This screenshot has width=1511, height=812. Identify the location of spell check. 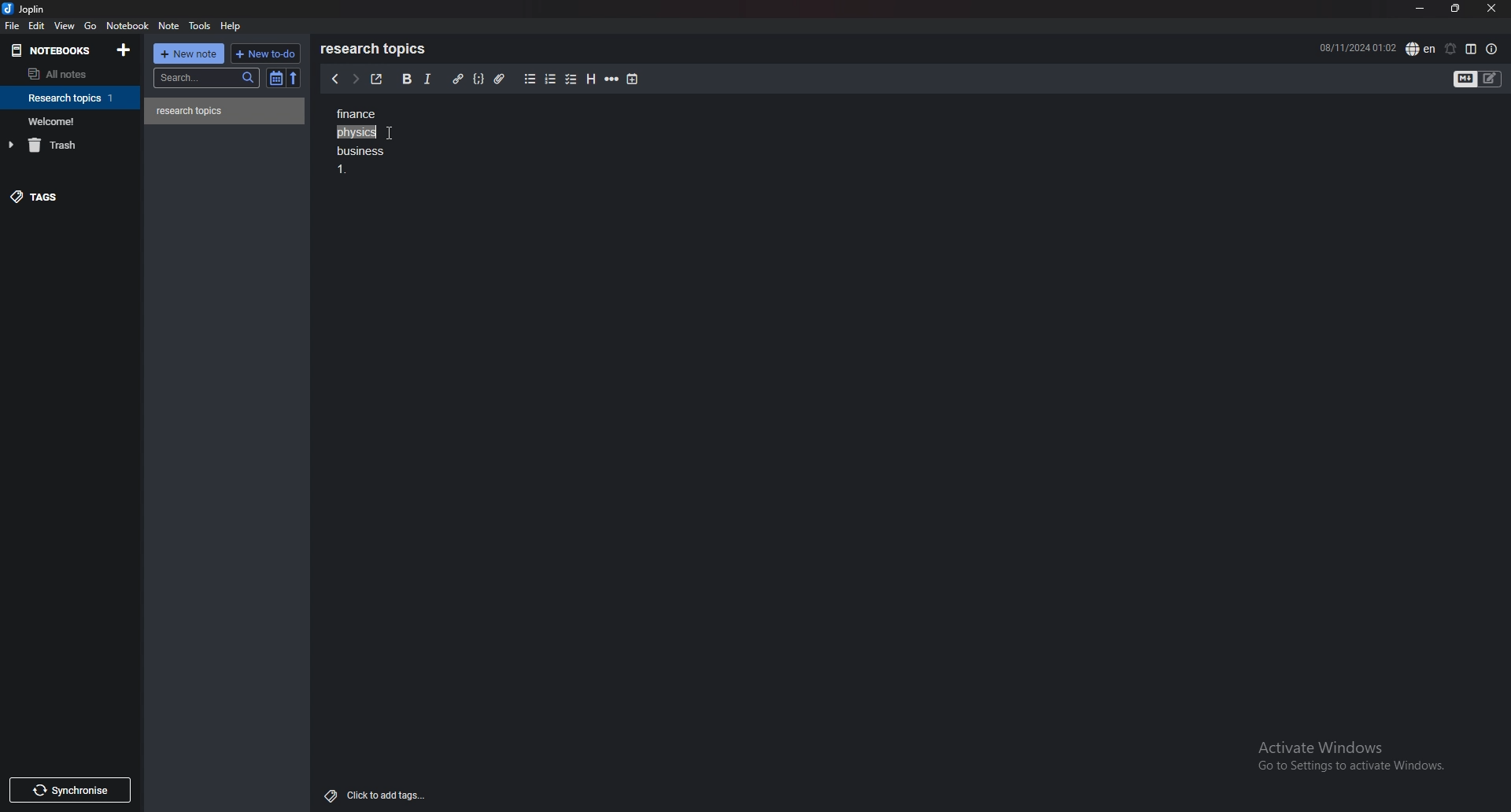
(1420, 48).